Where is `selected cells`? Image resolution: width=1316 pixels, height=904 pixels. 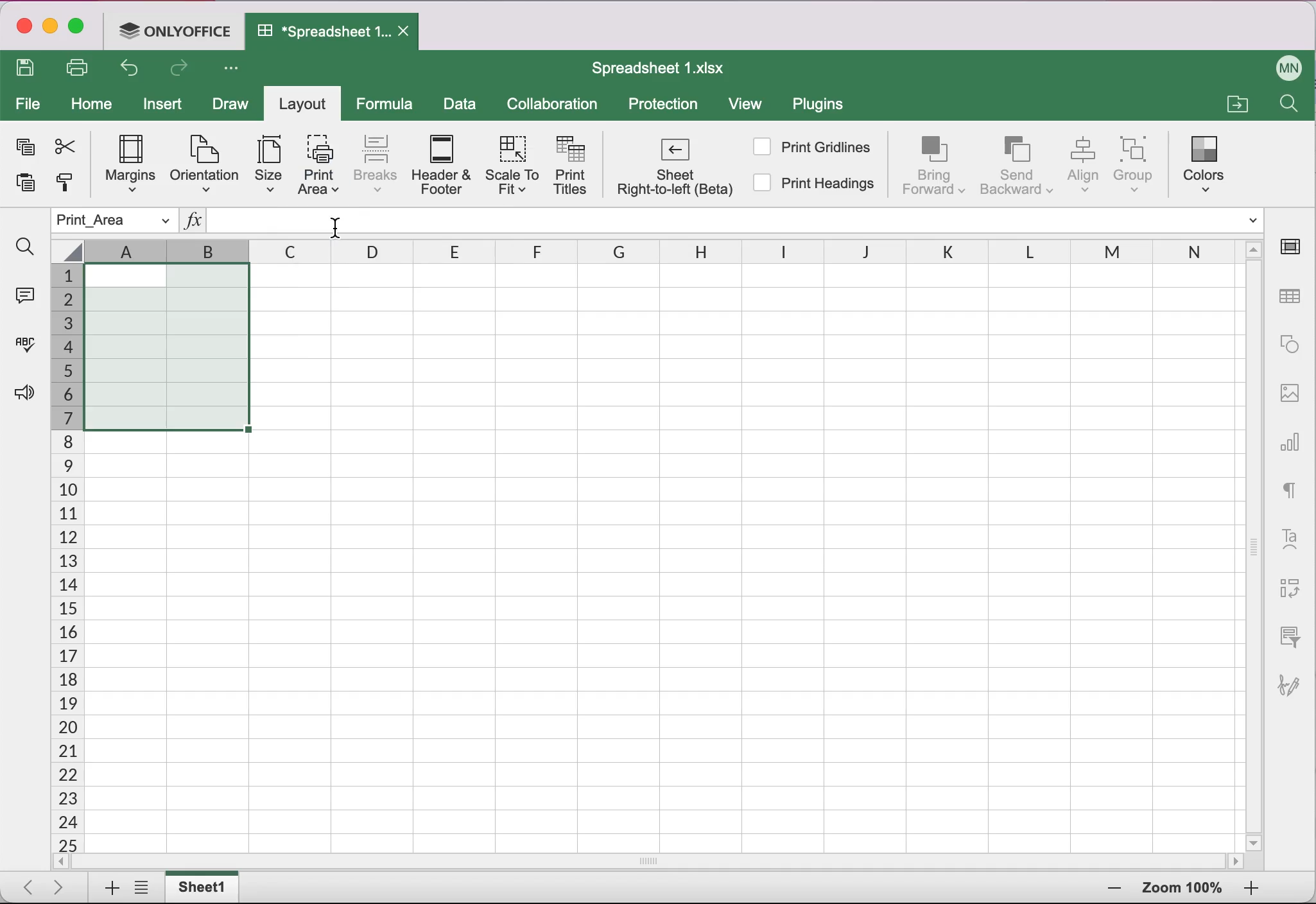
selected cells is located at coordinates (165, 346).